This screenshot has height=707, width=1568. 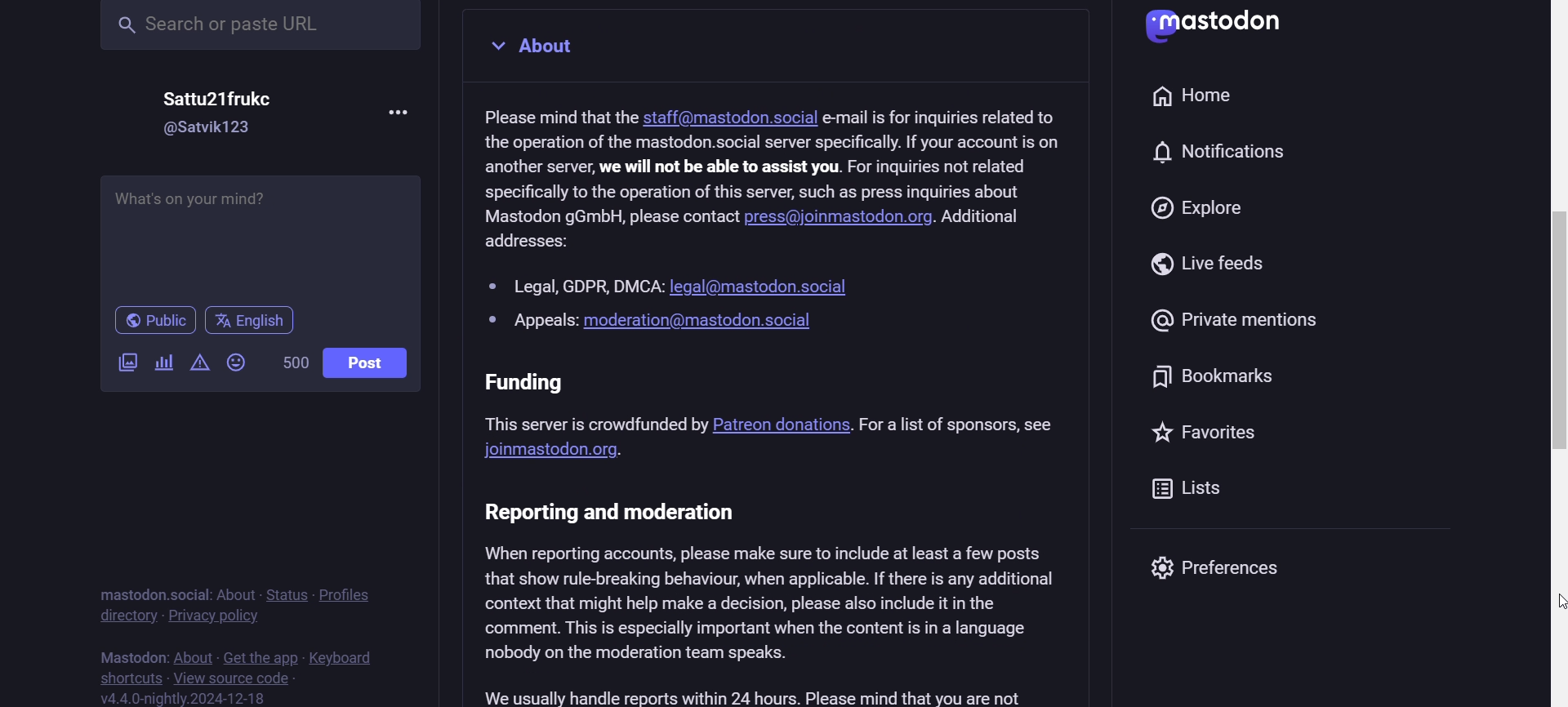 What do you see at coordinates (1204, 434) in the screenshot?
I see `favorites` at bounding box center [1204, 434].